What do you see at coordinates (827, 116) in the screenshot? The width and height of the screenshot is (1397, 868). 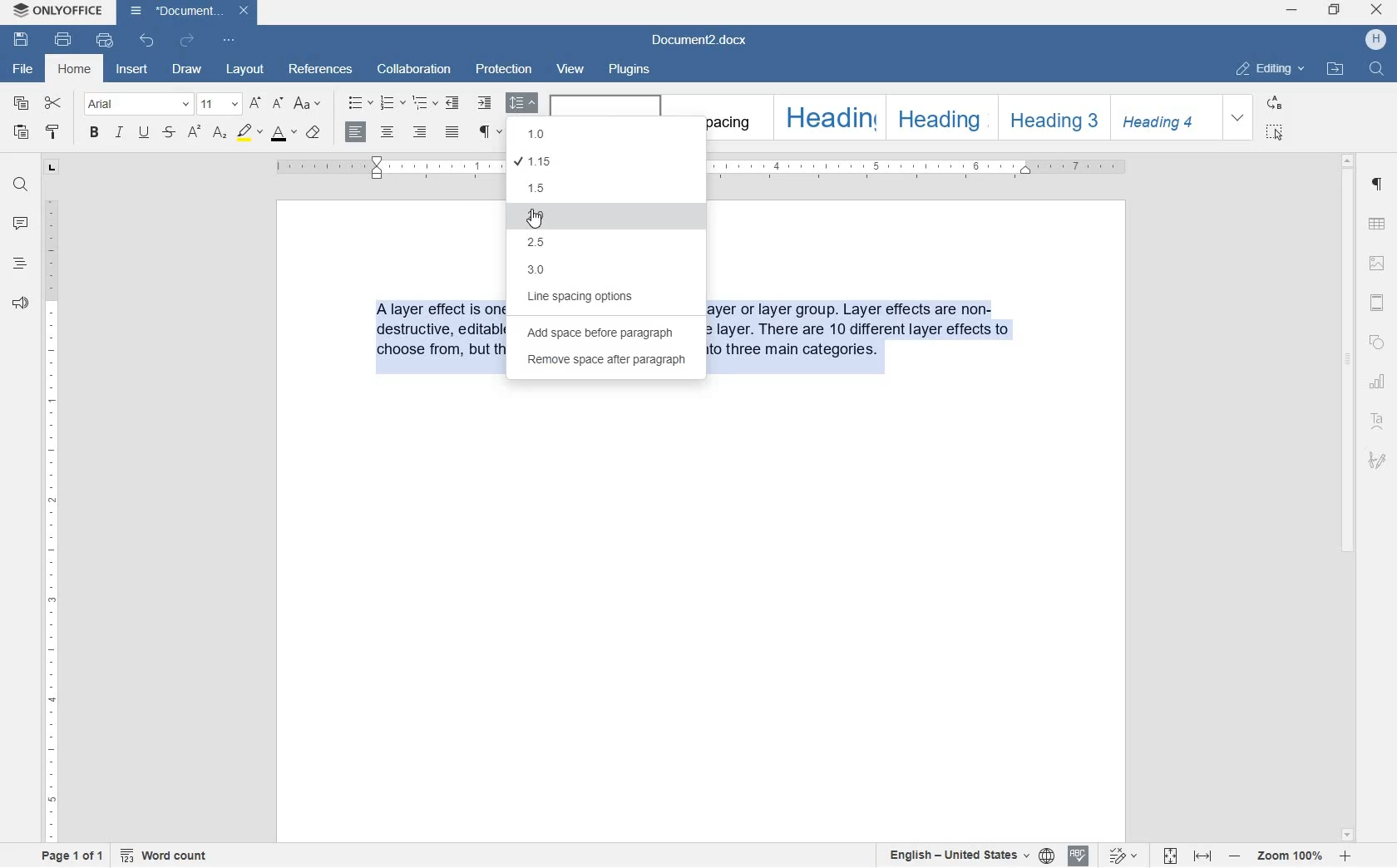 I see `heading 1` at bounding box center [827, 116].